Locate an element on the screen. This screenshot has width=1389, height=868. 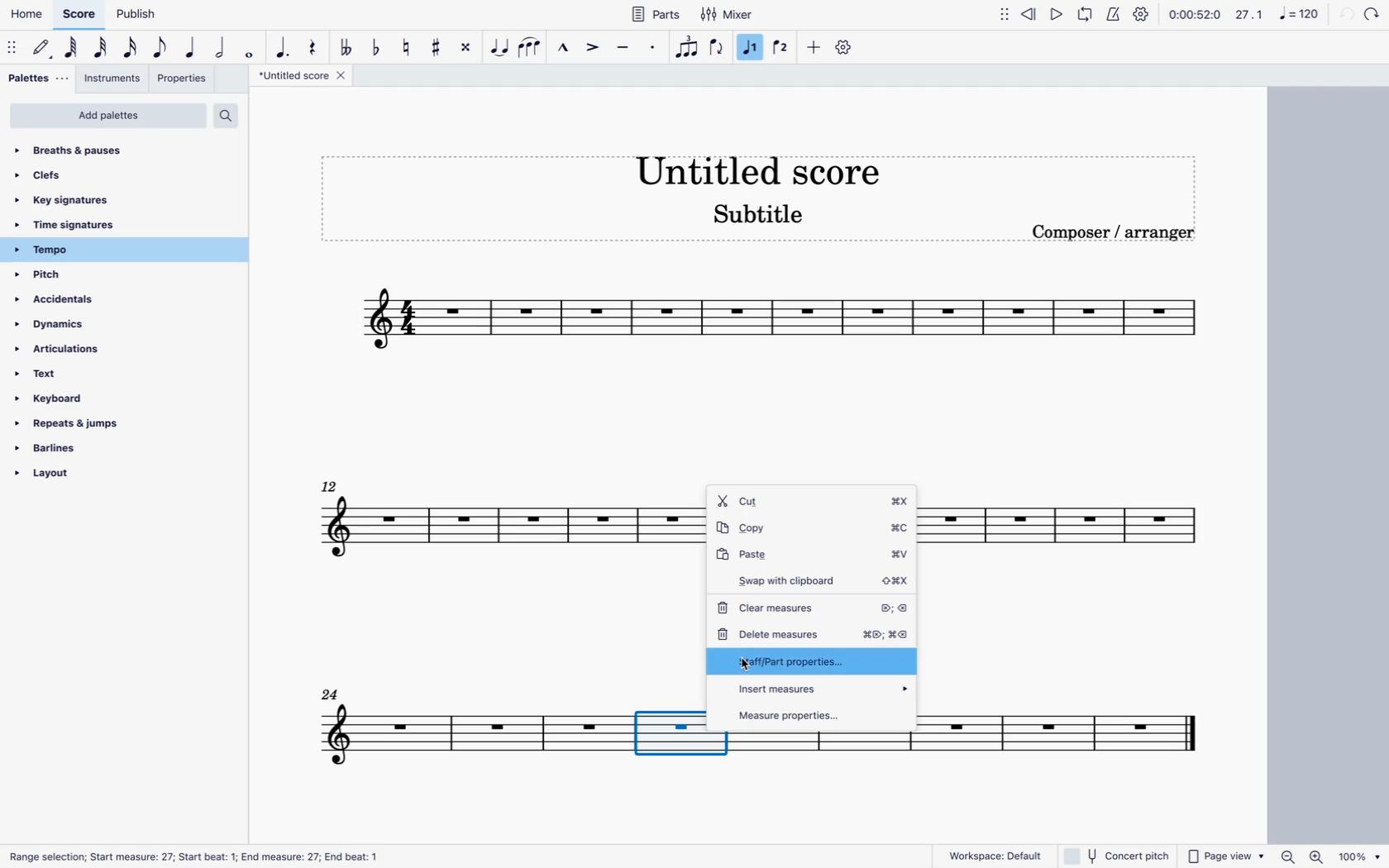
12 is located at coordinates (331, 488).